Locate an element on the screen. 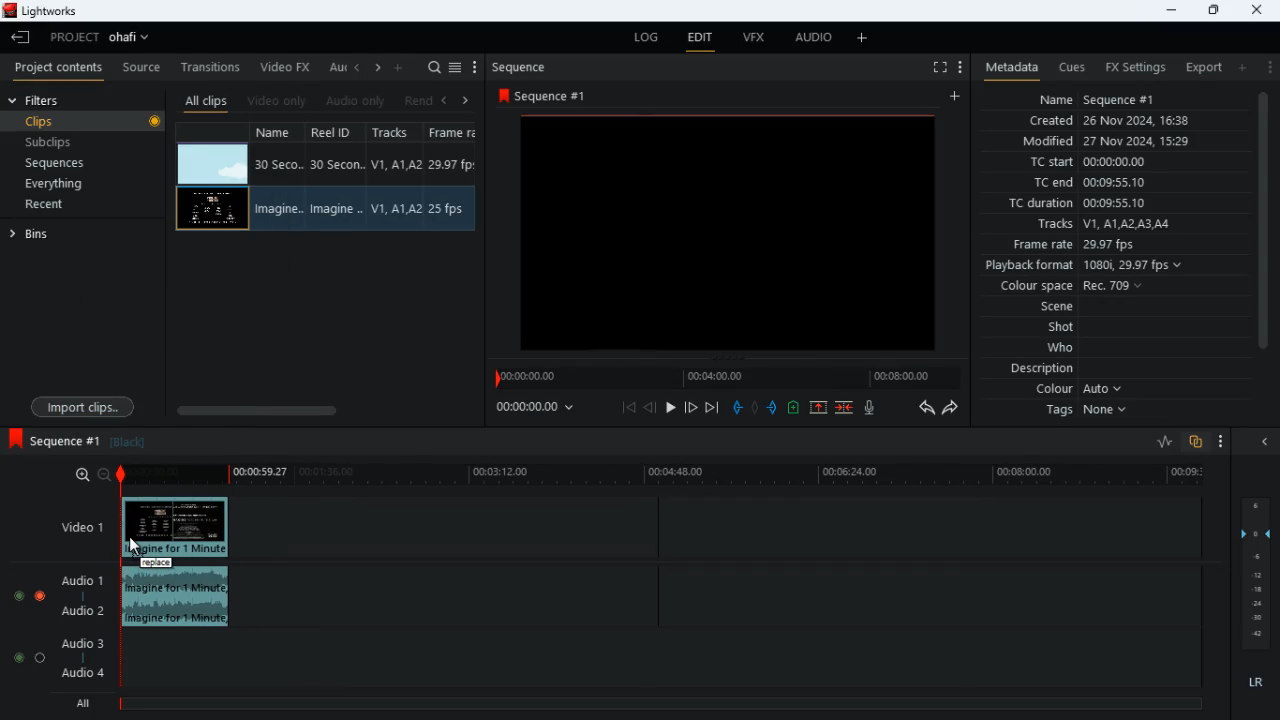 The image size is (1280, 720). back is located at coordinates (650, 408).